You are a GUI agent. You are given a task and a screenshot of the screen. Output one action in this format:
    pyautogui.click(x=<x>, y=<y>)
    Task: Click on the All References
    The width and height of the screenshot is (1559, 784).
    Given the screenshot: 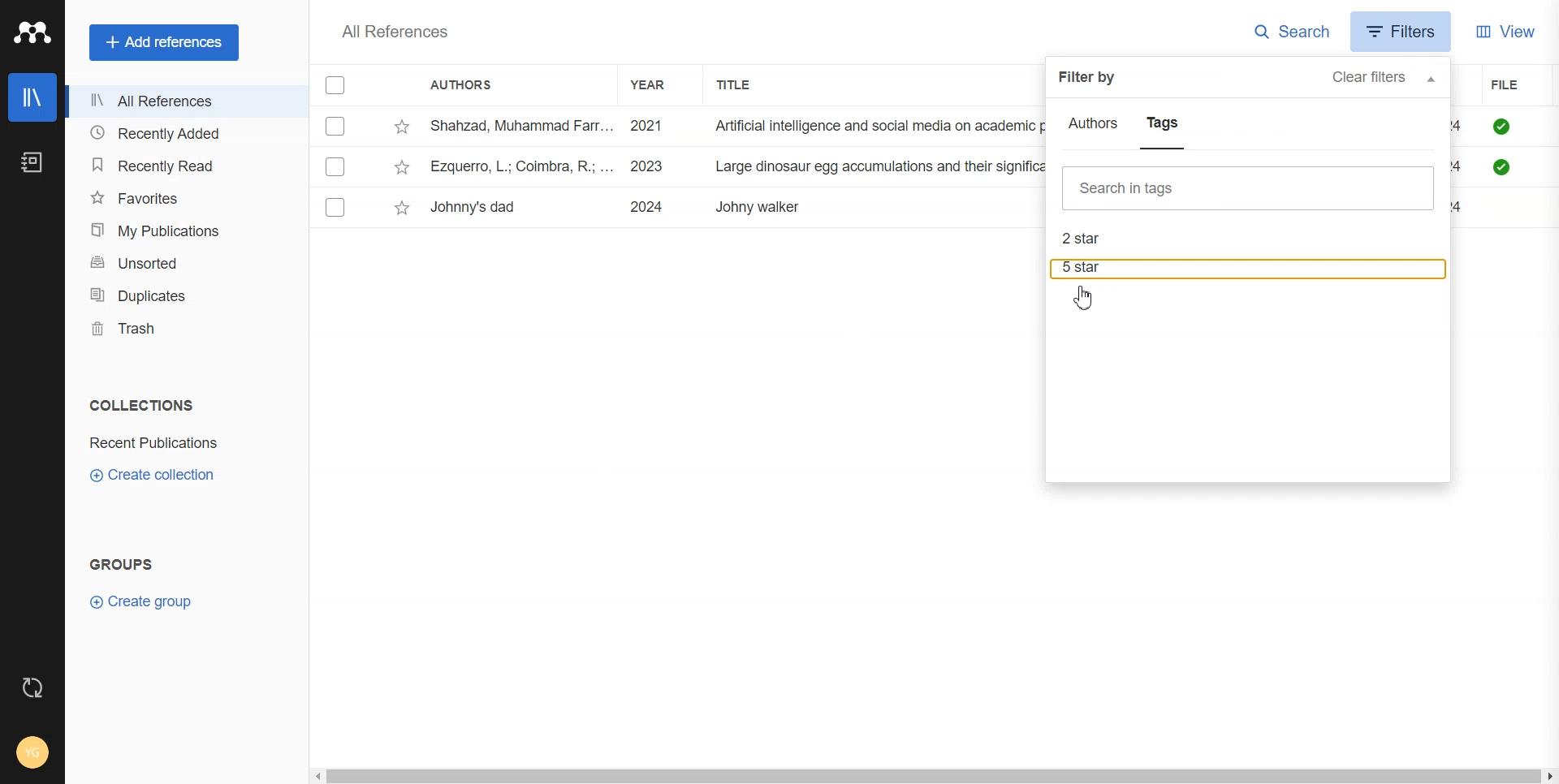 What is the action you would take?
    pyautogui.click(x=181, y=101)
    